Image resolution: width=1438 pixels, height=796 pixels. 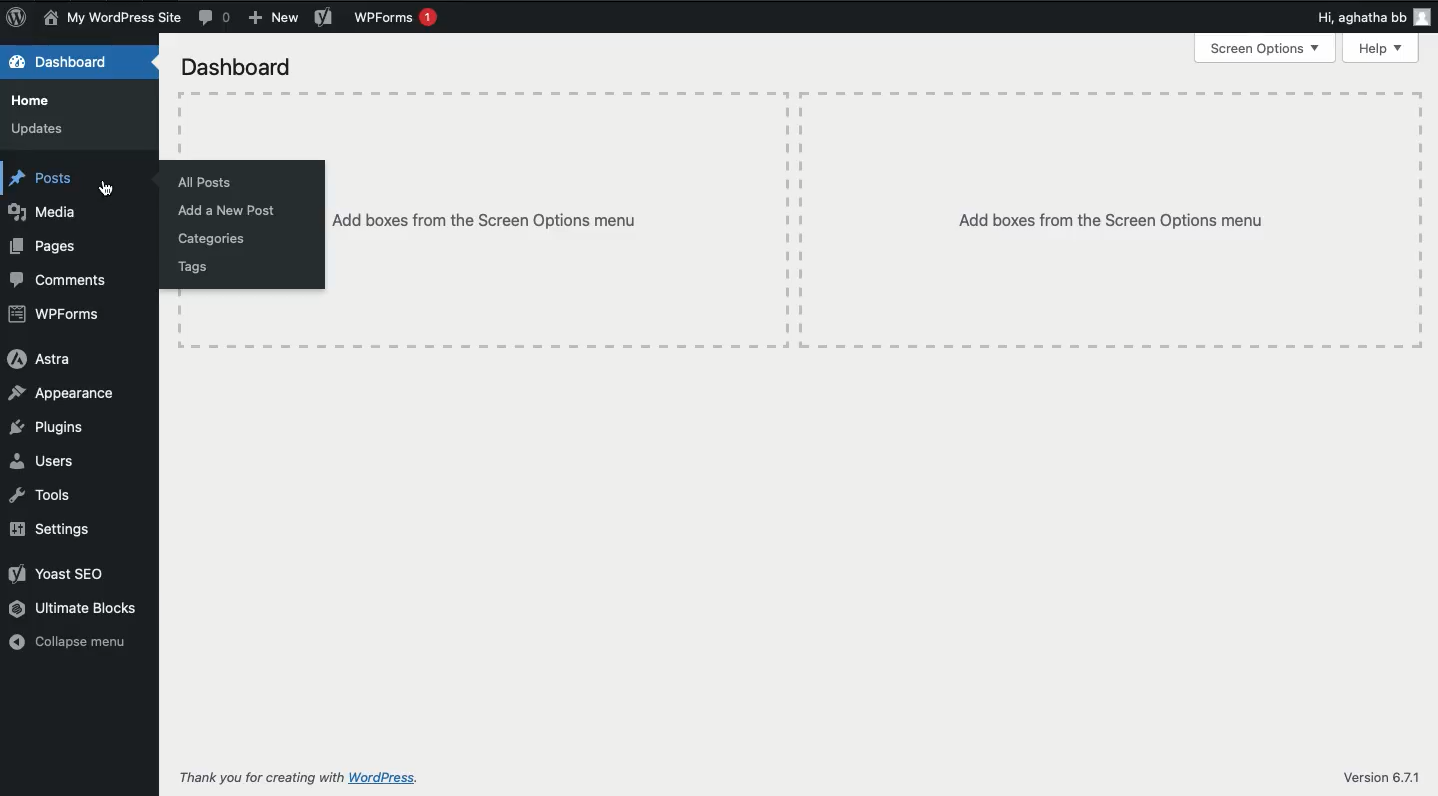 I want to click on , so click(x=558, y=223).